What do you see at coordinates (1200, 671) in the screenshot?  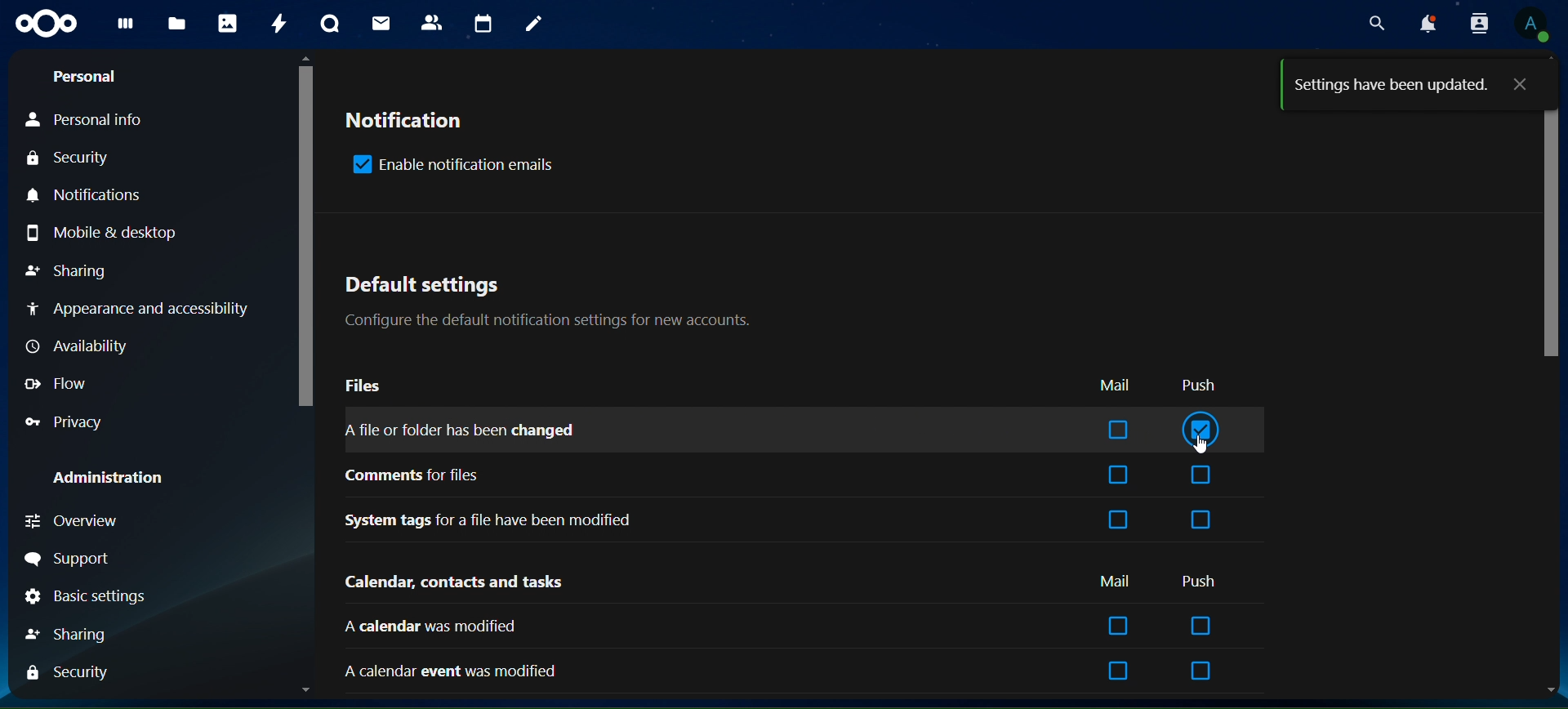 I see `box` at bounding box center [1200, 671].